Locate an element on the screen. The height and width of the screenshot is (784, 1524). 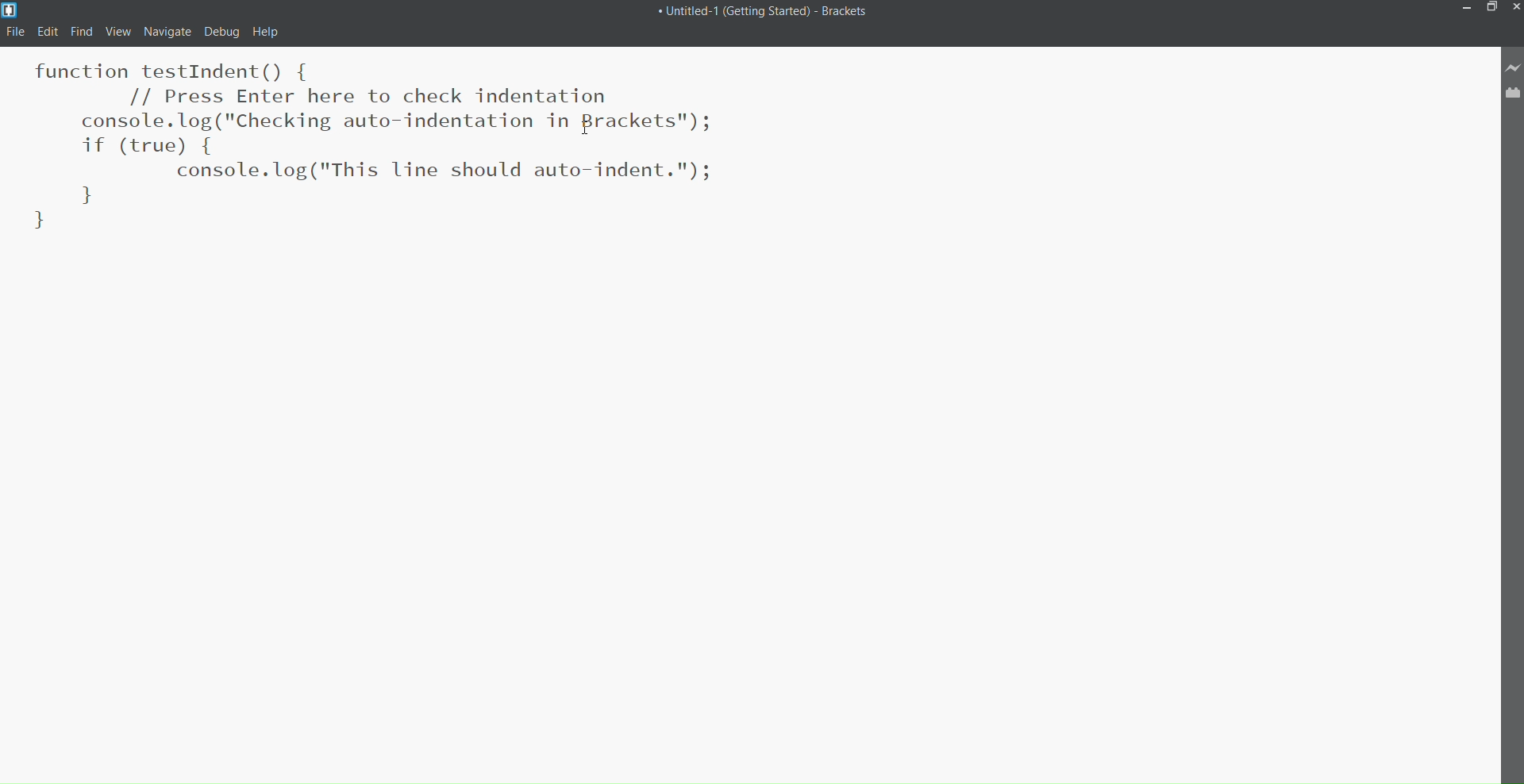
Live Preview is located at coordinates (1513, 67).